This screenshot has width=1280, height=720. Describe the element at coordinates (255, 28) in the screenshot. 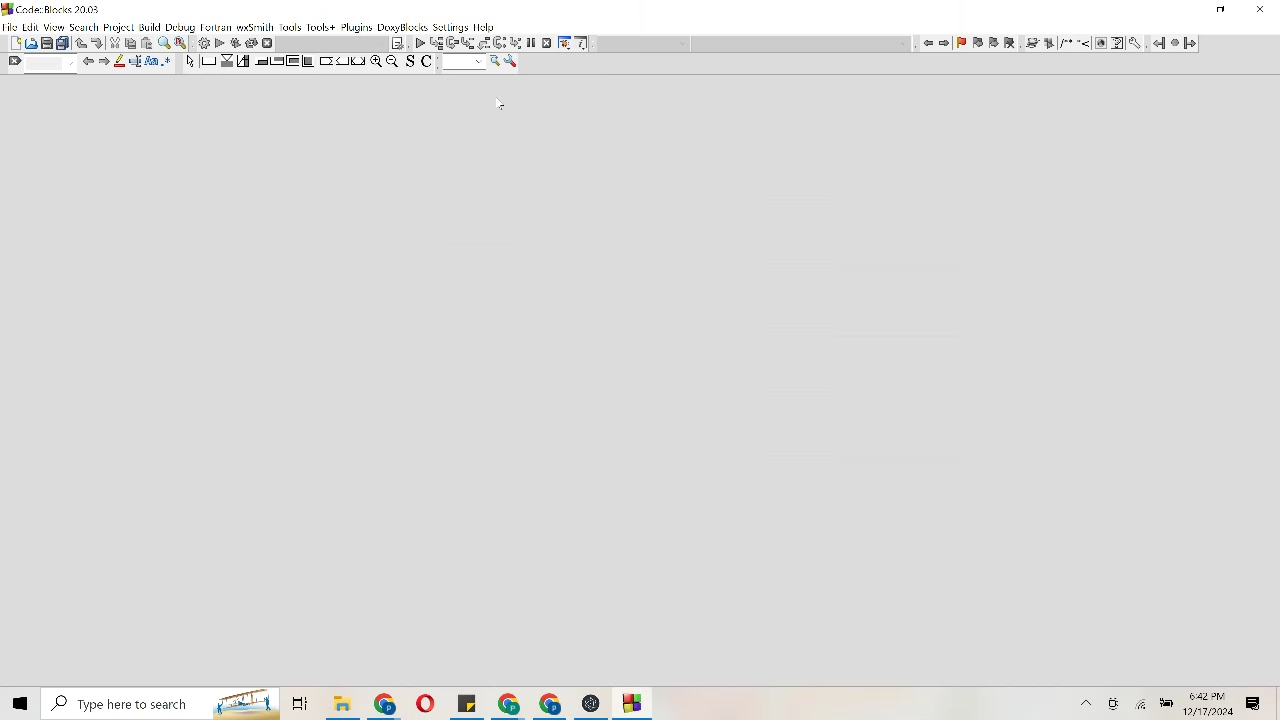

I see `wxsmith` at that location.